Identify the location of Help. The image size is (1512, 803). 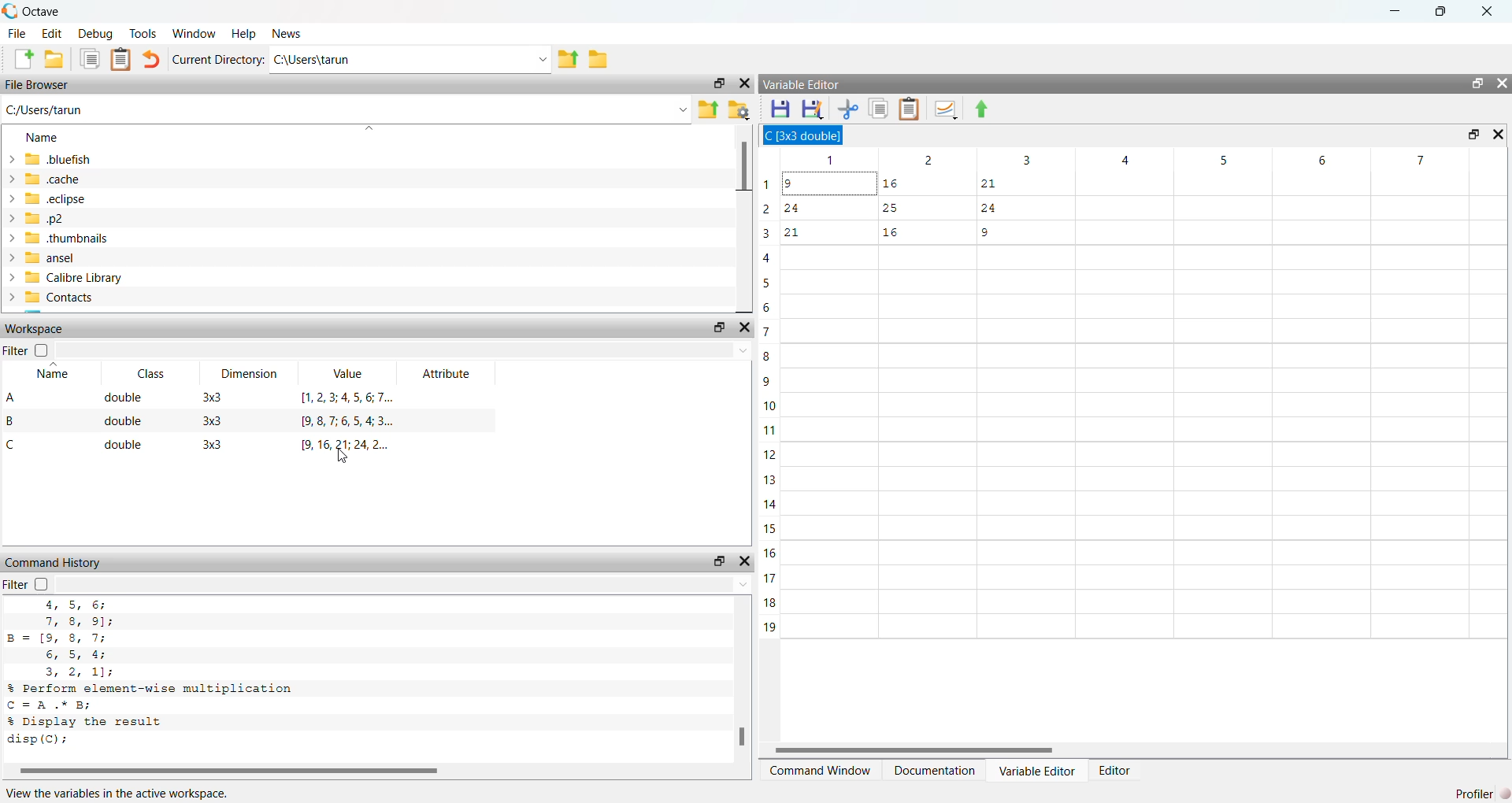
(244, 34).